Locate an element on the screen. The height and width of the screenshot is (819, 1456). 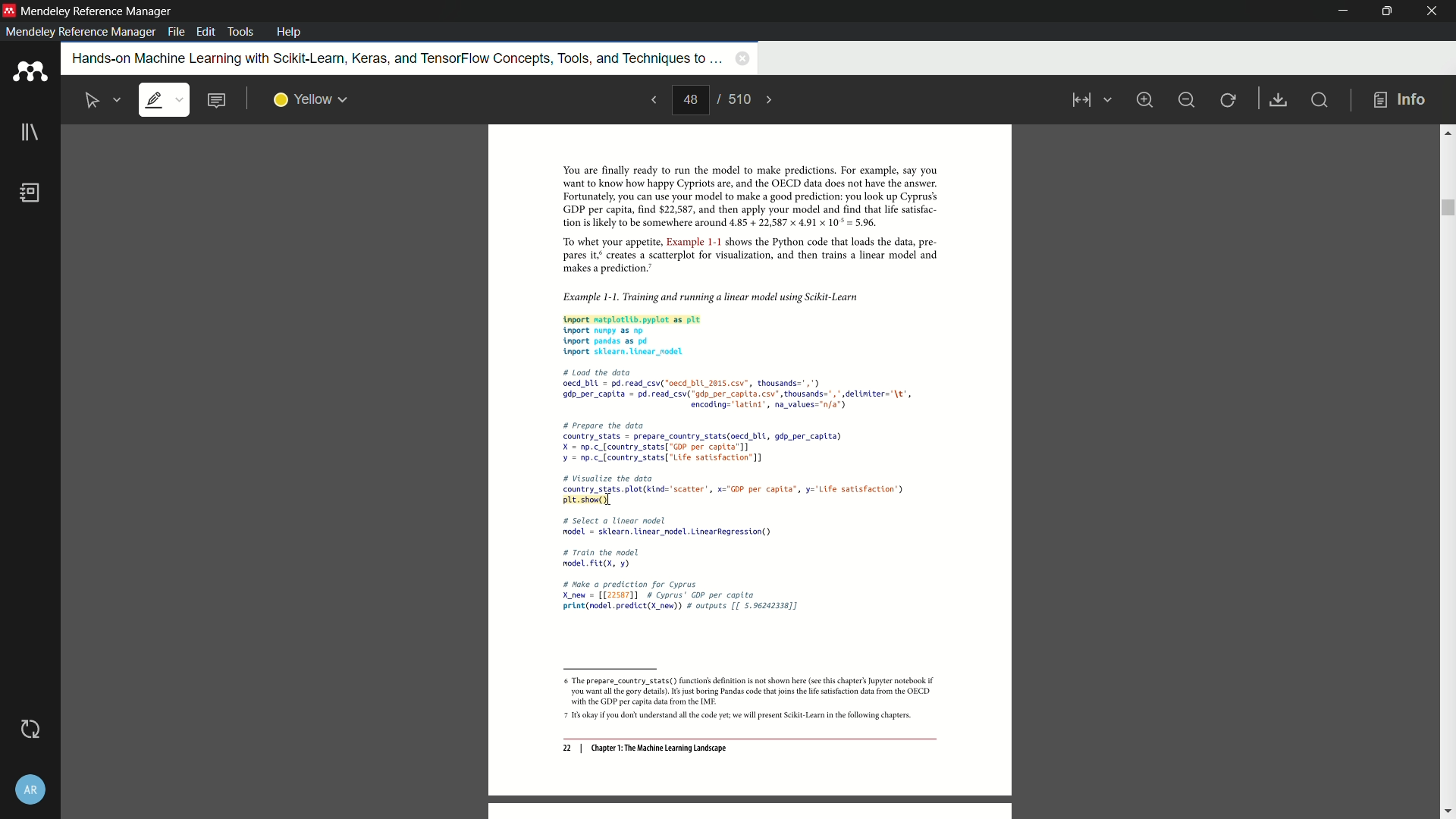
view mode is located at coordinates (1089, 100).